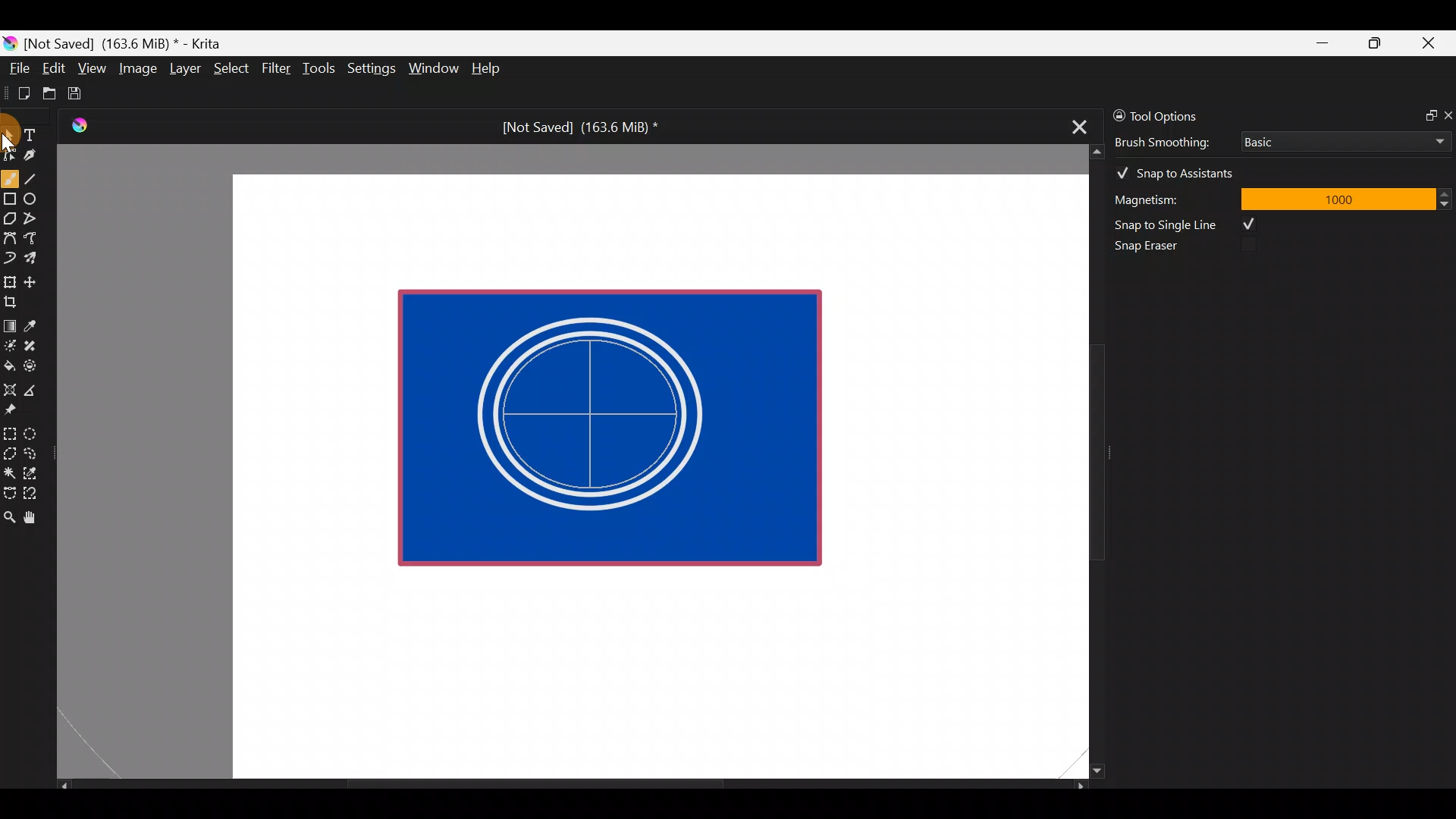  Describe the element at coordinates (9, 469) in the screenshot. I see `Contiguous selection tool` at that location.